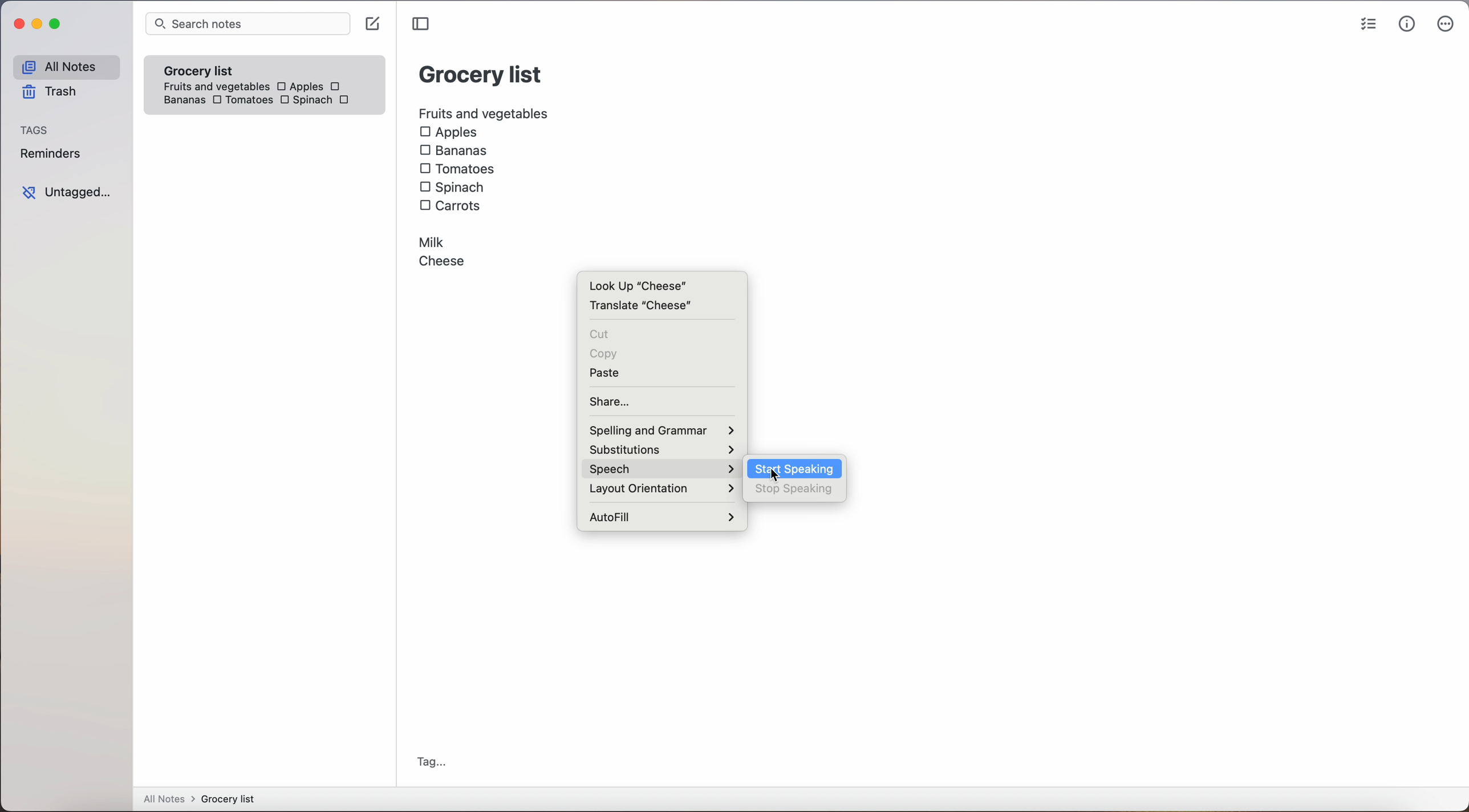  What do you see at coordinates (663, 490) in the screenshot?
I see `layout orientation` at bounding box center [663, 490].